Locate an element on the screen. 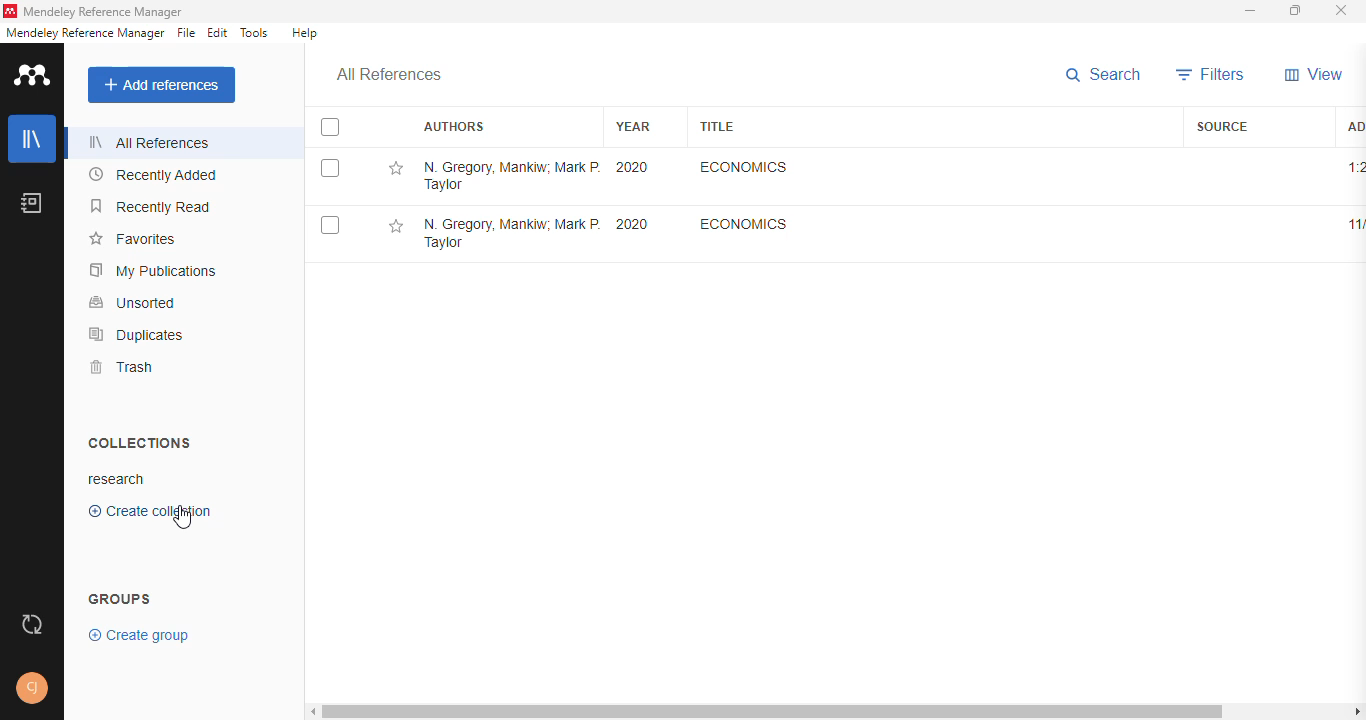 Image resolution: width=1366 pixels, height=720 pixels. Economics is located at coordinates (741, 167).